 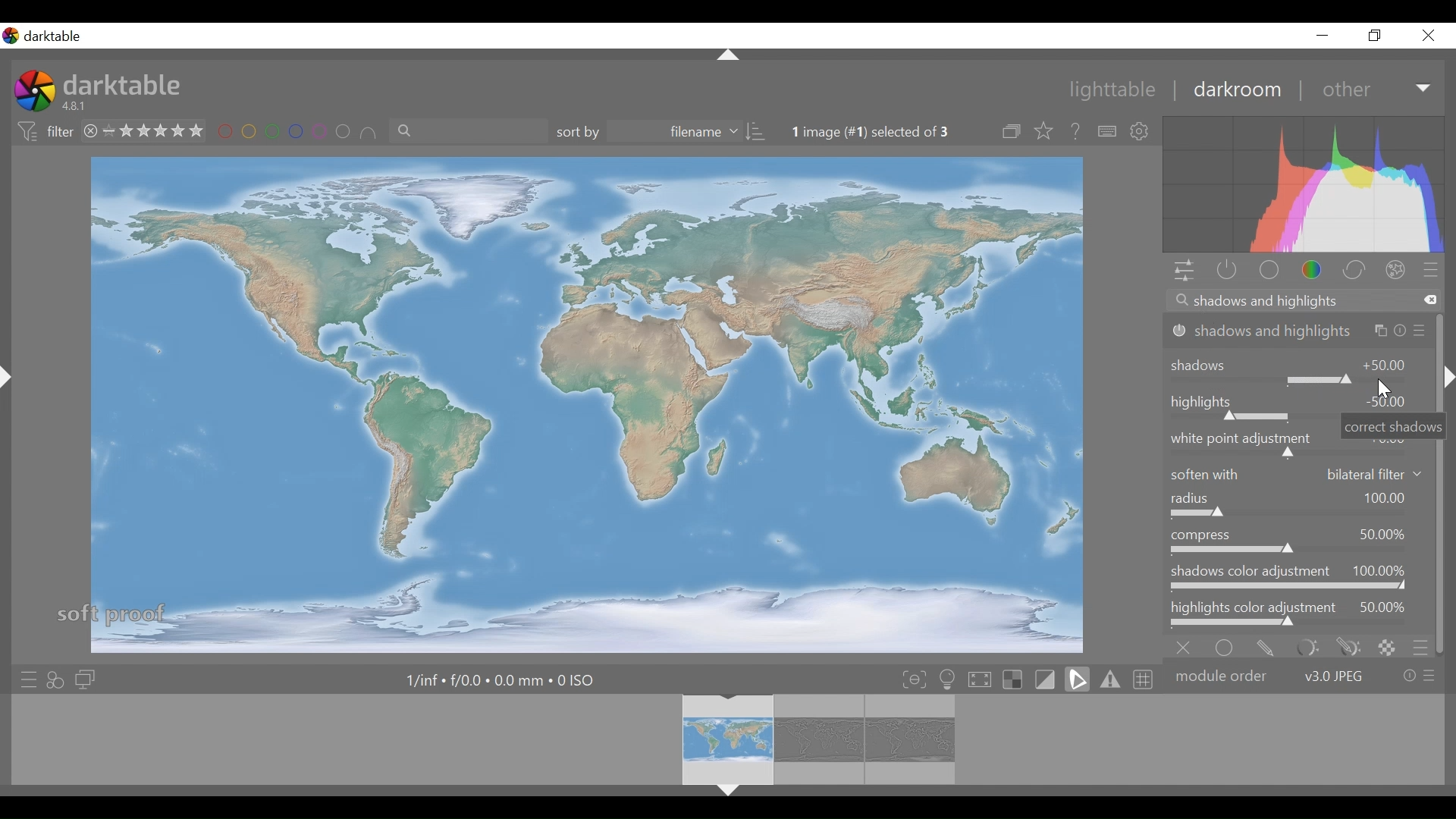 I want to click on darktable, so click(x=125, y=85).